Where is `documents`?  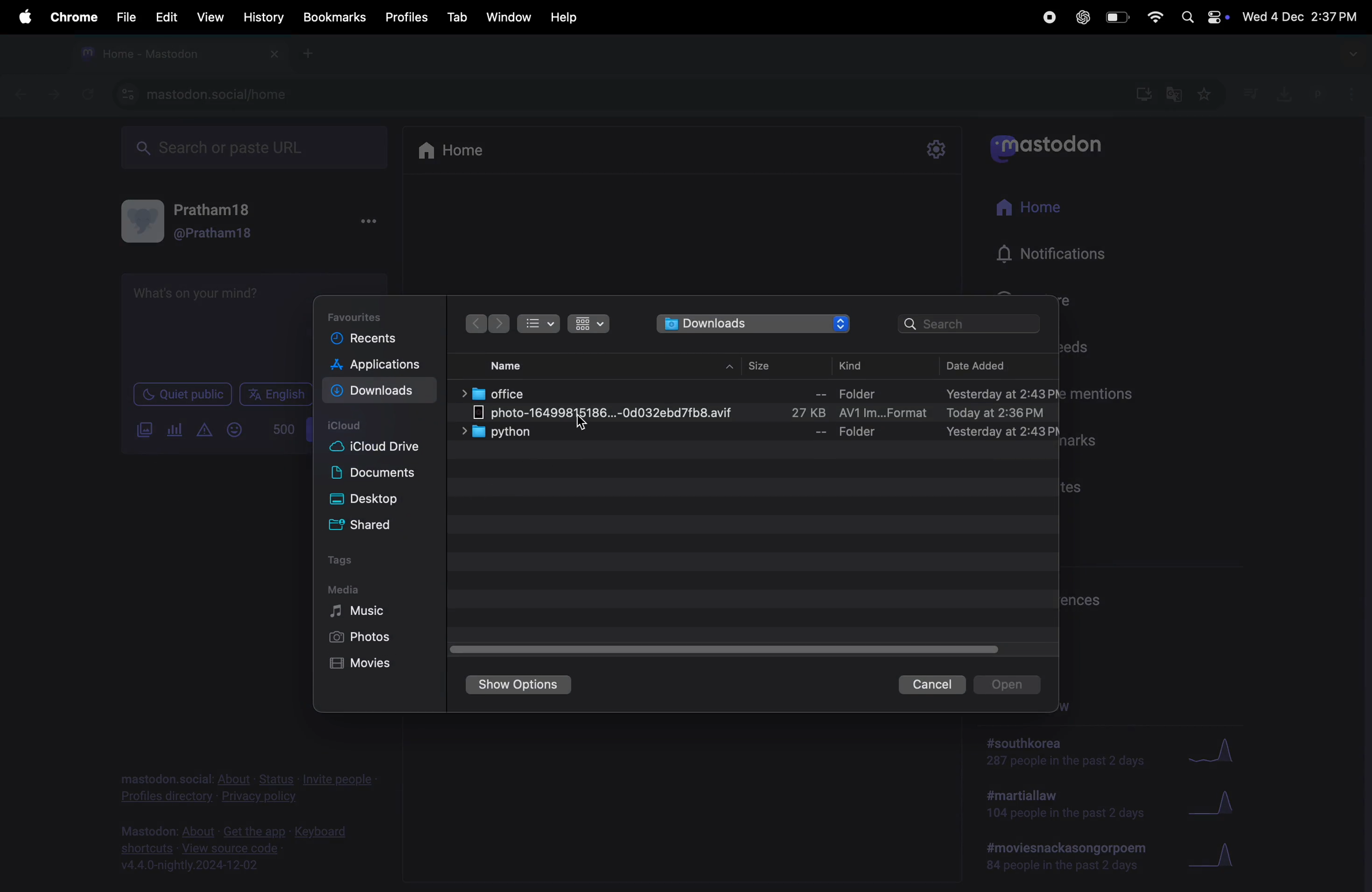
documents is located at coordinates (378, 475).